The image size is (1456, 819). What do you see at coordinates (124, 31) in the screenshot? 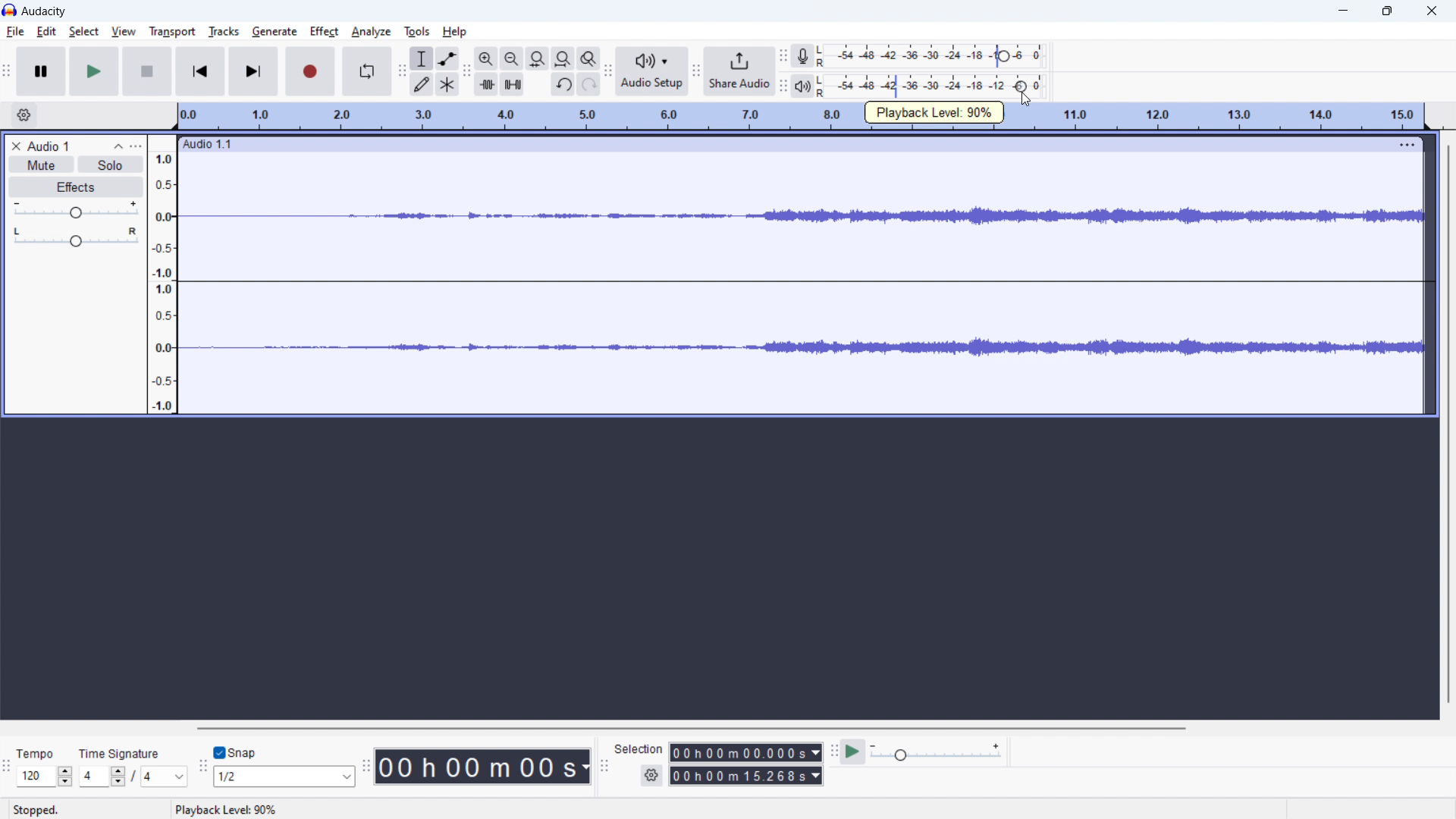
I see `view` at bounding box center [124, 31].